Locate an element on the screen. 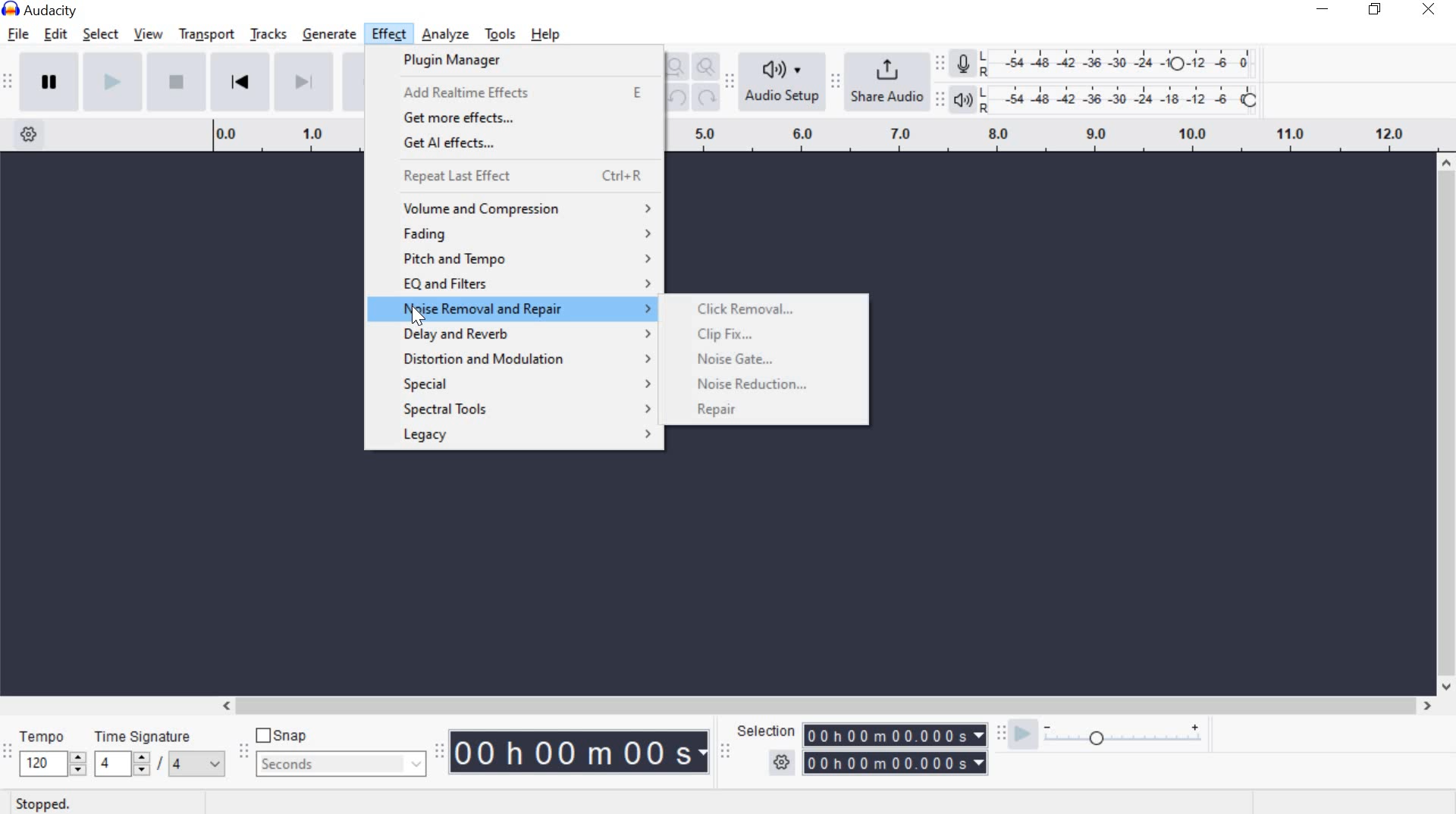 The width and height of the screenshot is (1456, 814). get more effects is located at coordinates (469, 117).